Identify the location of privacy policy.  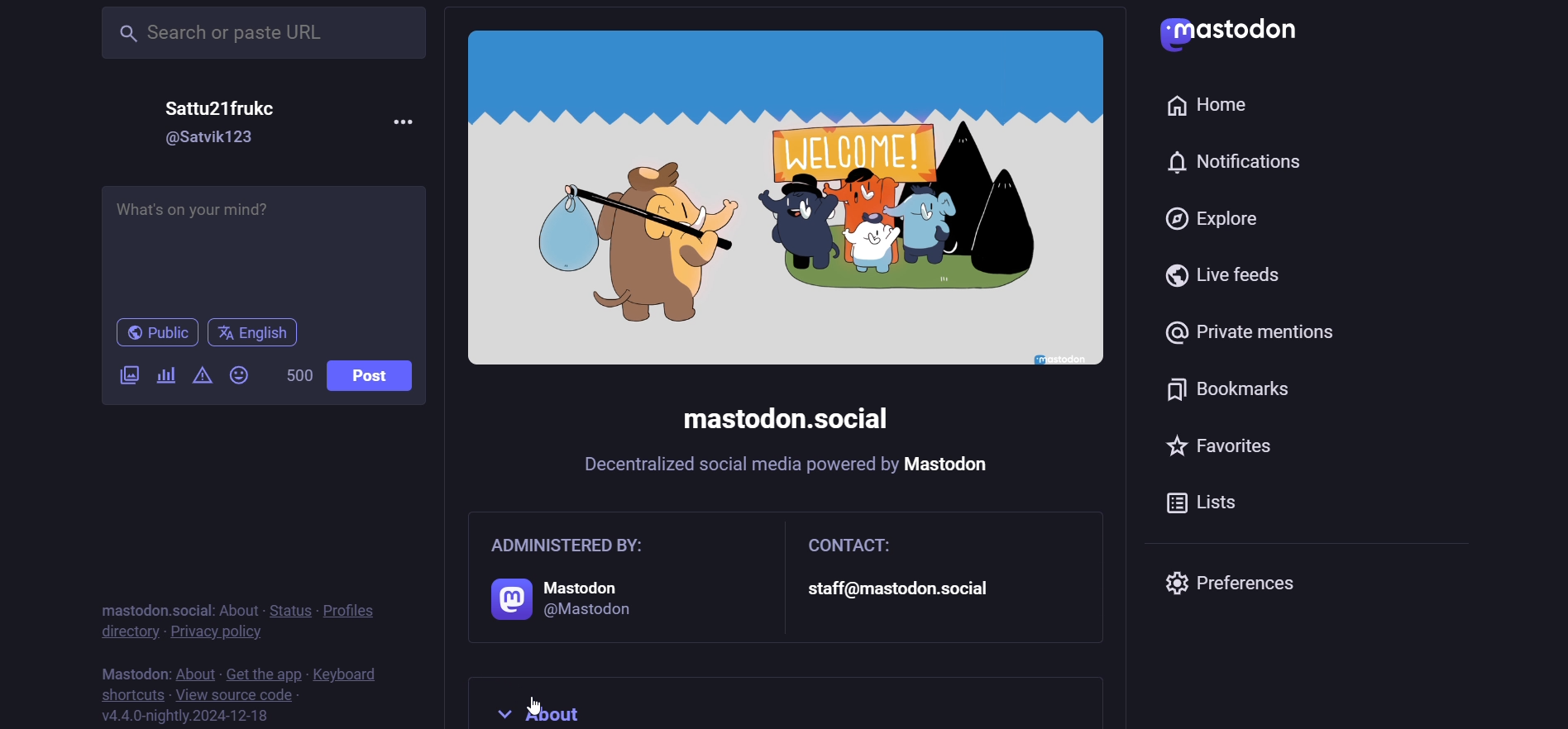
(218, 631).